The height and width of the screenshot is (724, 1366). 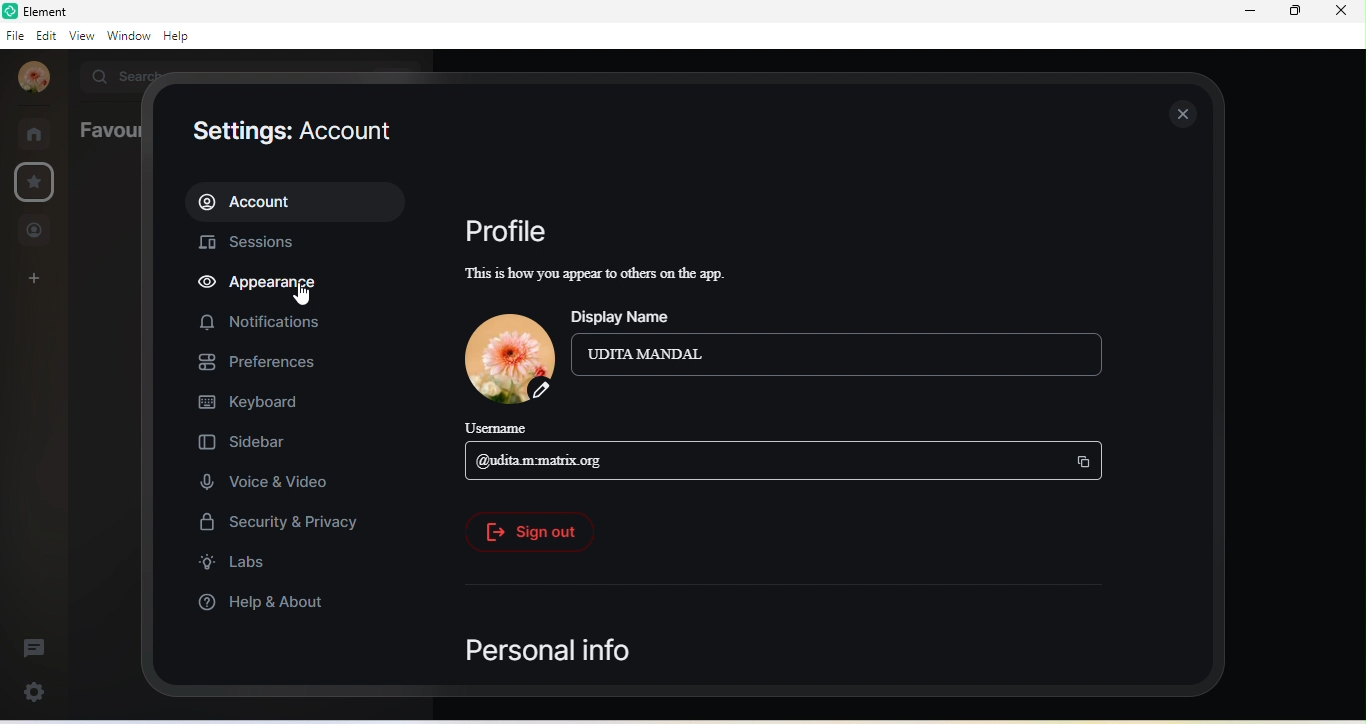 What do you see at coordinates (35, 230) in the screenshot?
I see `people` at bounding box center [35, 230].